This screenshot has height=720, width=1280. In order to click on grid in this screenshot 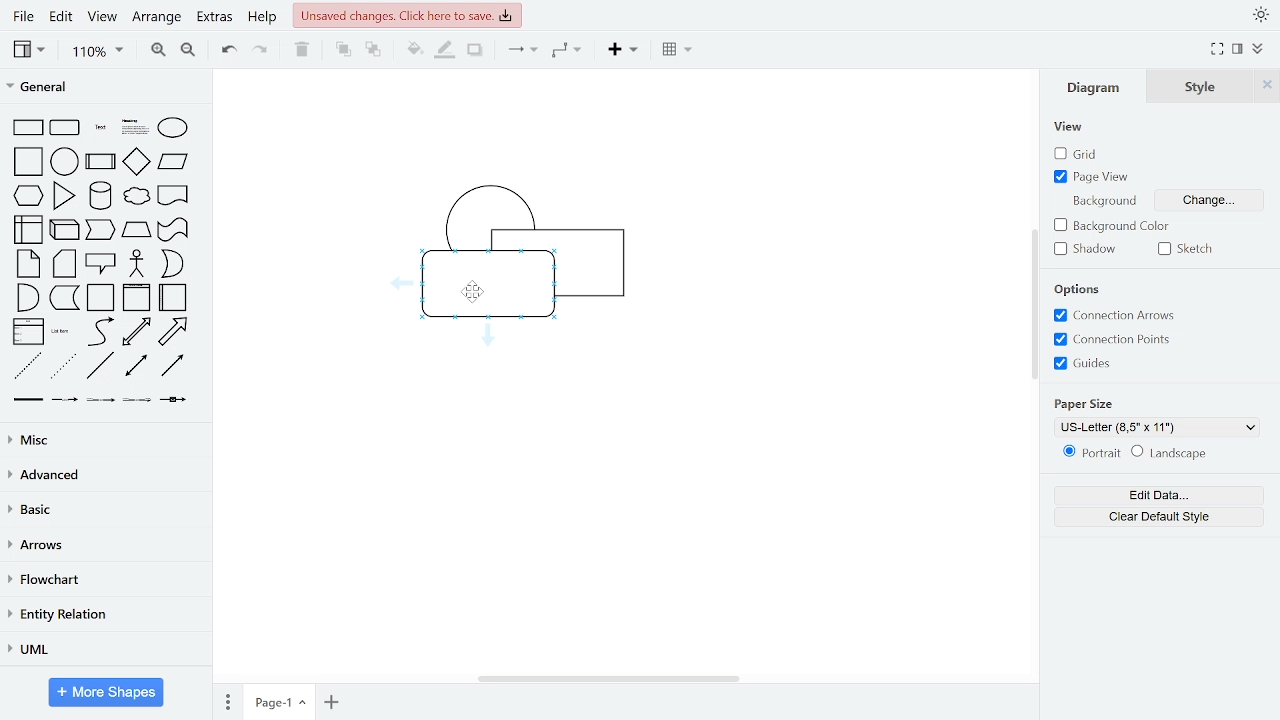, I will do `click(1078, 155)`.